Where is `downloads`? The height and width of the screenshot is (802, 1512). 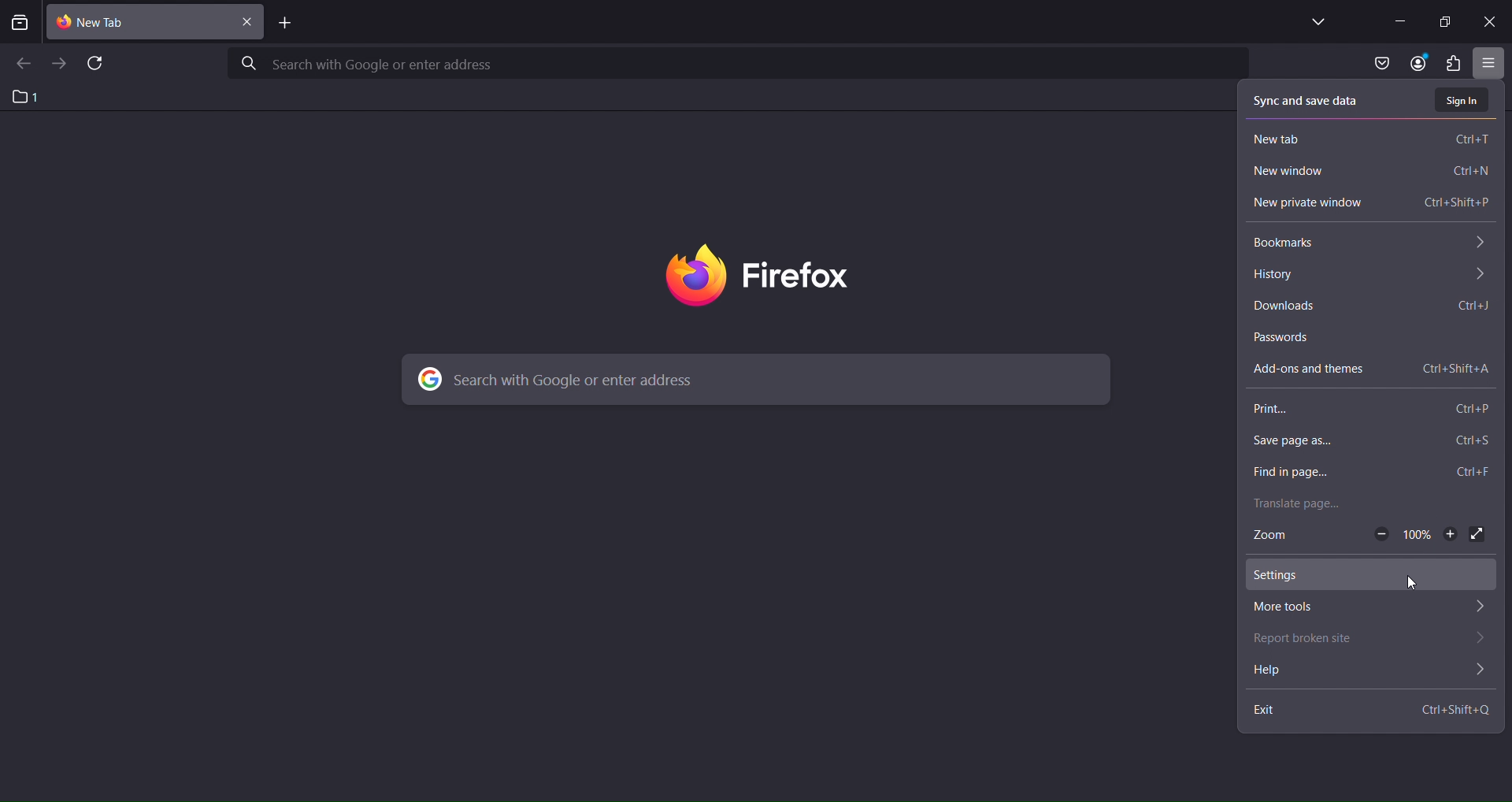 downloads is located at coordinates (1367, 306).